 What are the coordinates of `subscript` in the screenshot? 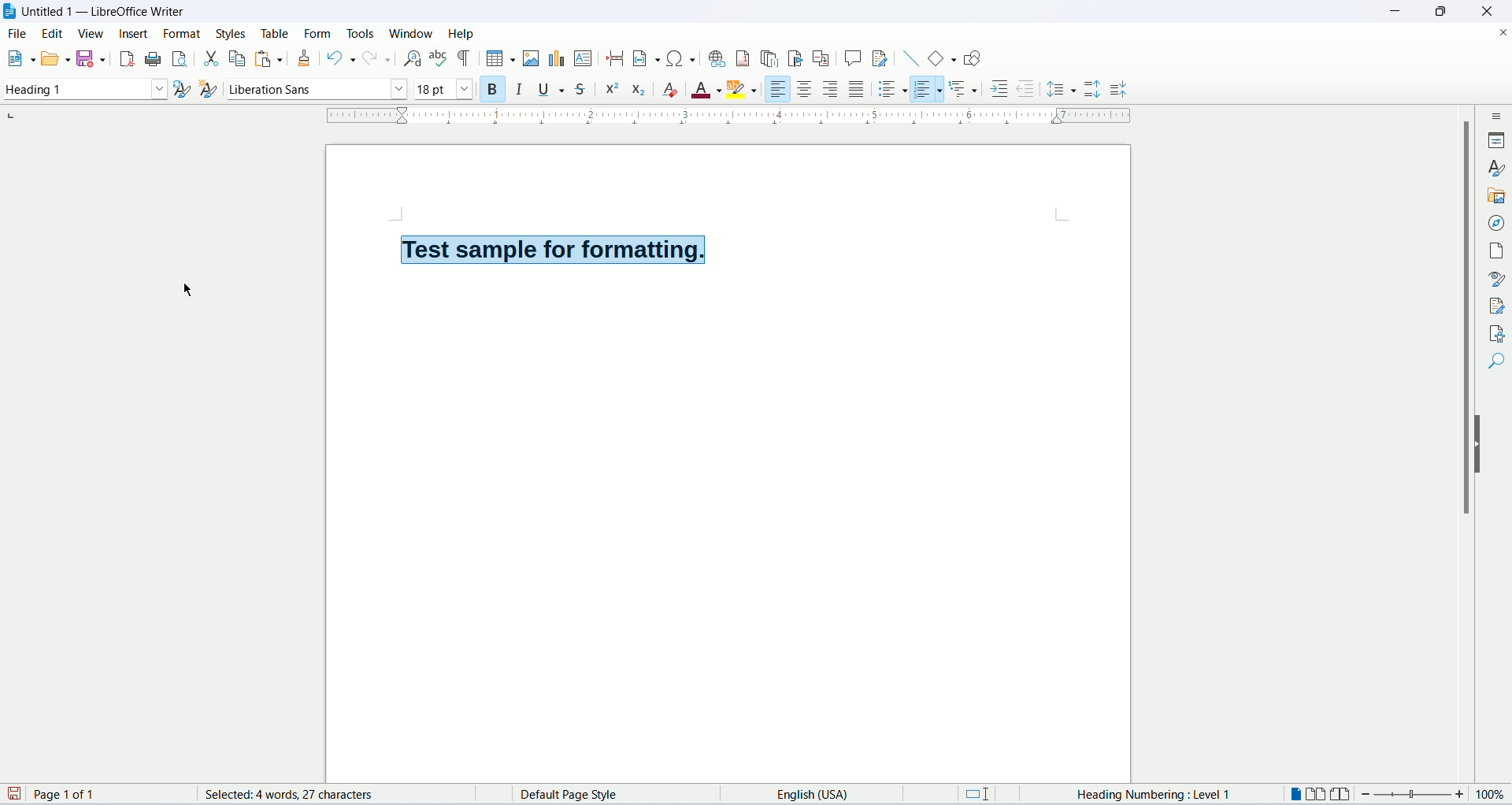 It's located at (639, 87).